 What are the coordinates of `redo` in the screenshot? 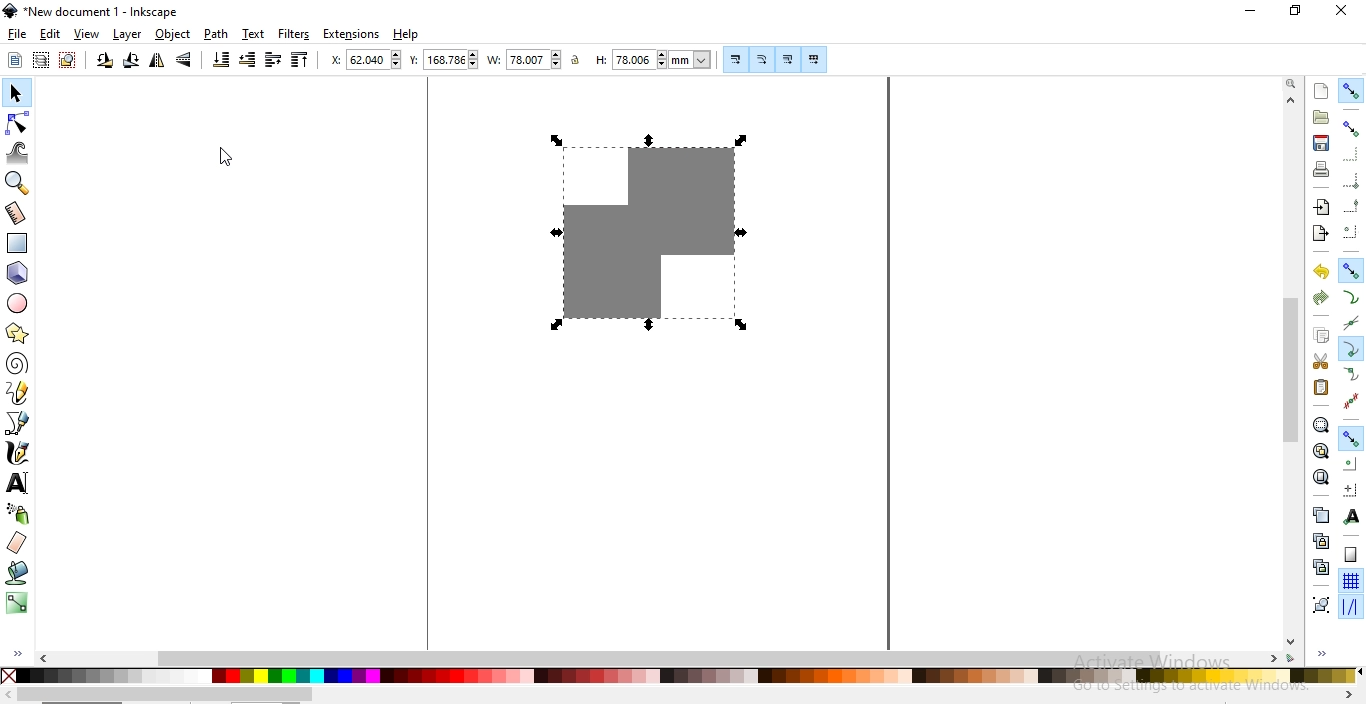 It's located at (1320, 297).